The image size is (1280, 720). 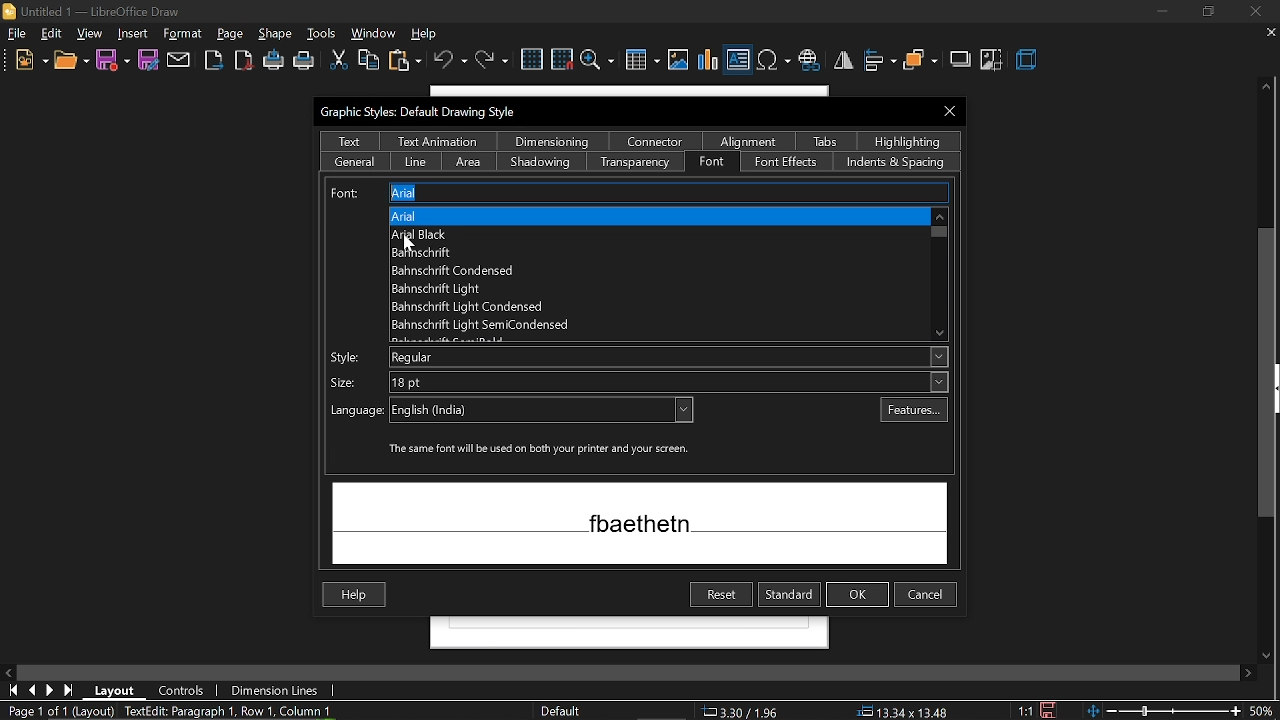 I want to click on indents and spacing, so click(x=898, y=164).